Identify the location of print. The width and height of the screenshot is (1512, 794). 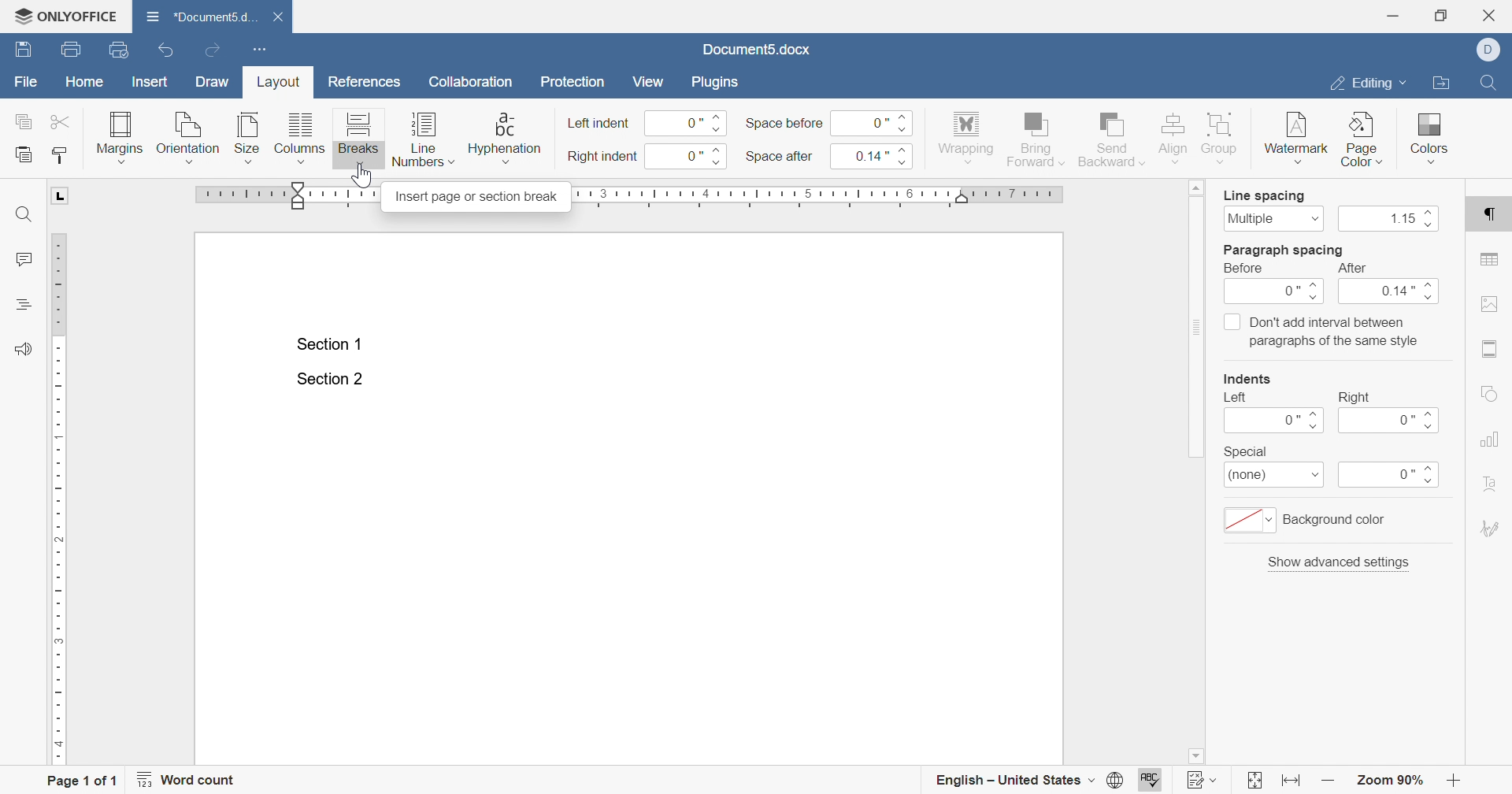
(75, 50).